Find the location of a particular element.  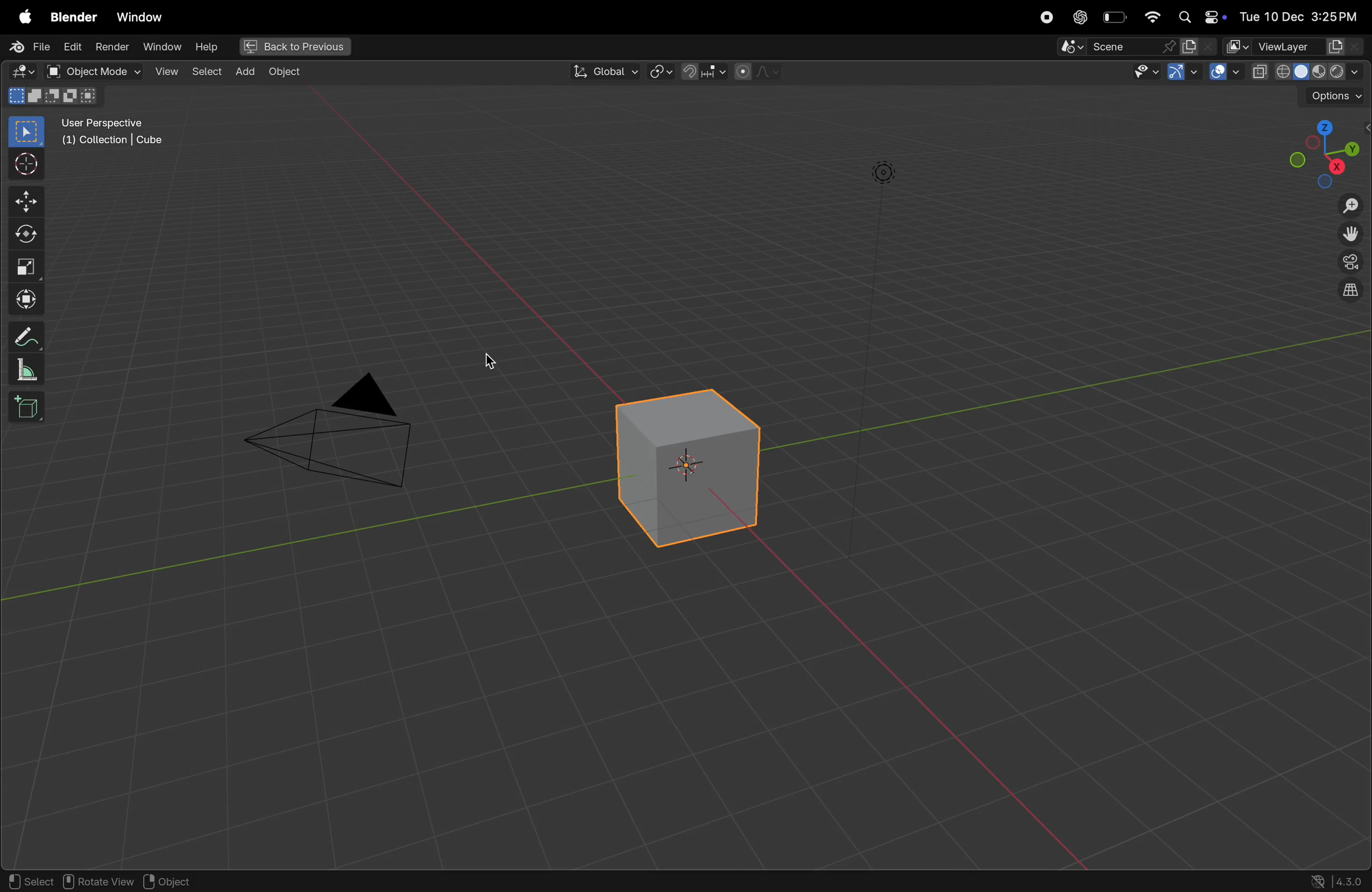

apple widgets is located at coordinates (1201, 16).